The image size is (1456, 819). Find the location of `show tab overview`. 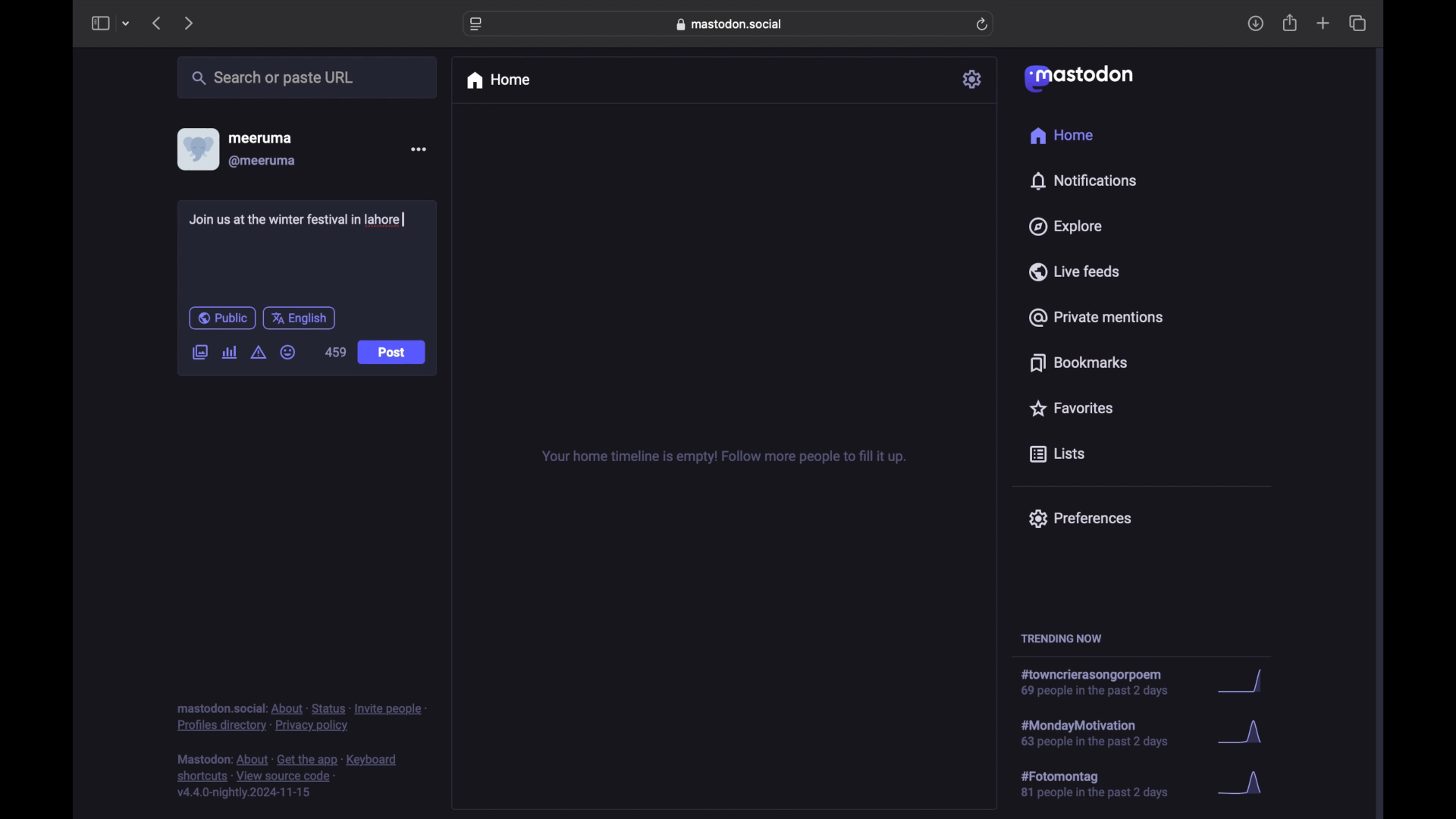

show tab overview is located at coordinates (1357, 24).